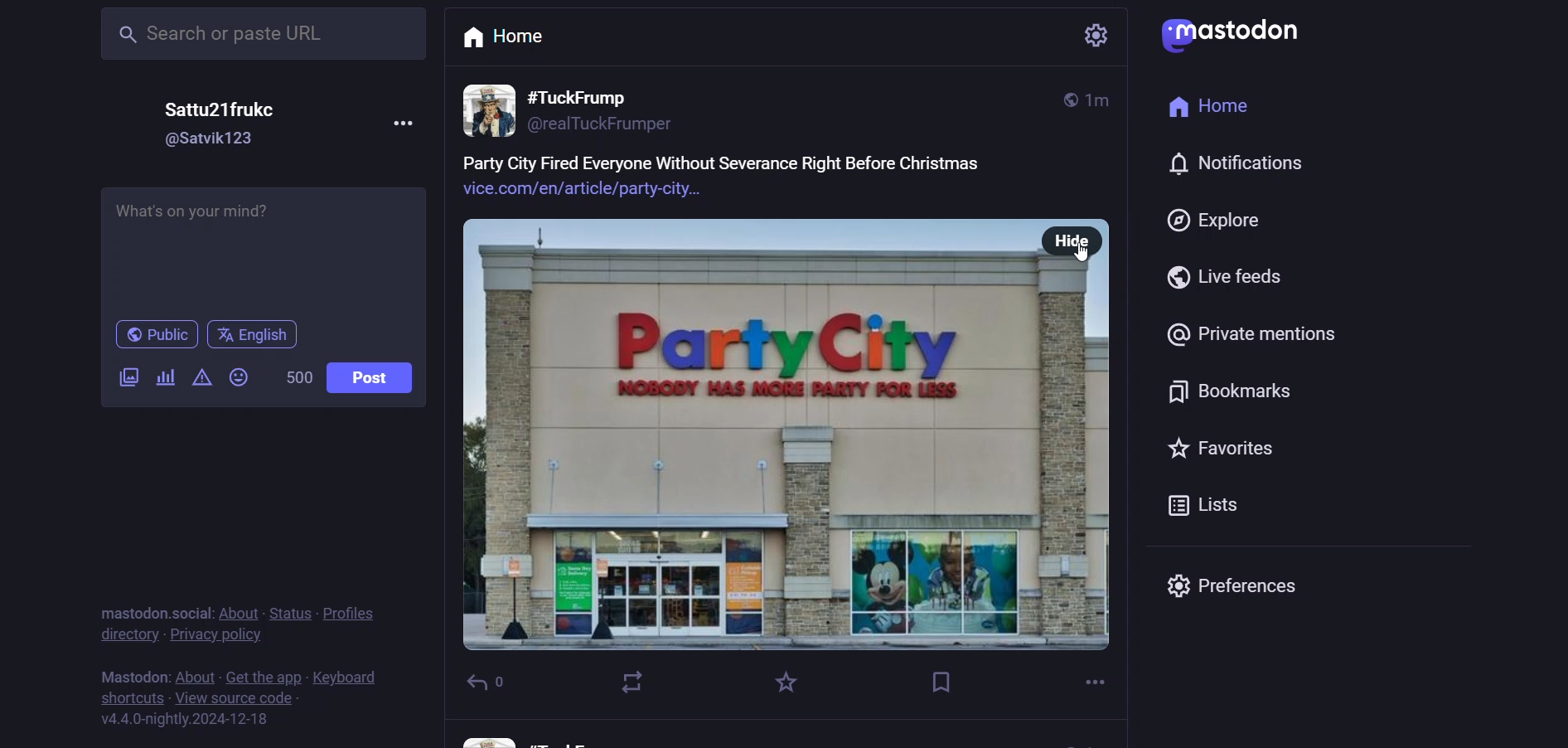  What do you see at coordinates (123, 638) in the screenshot?
I see `directory` at bounding box center [123, 638].